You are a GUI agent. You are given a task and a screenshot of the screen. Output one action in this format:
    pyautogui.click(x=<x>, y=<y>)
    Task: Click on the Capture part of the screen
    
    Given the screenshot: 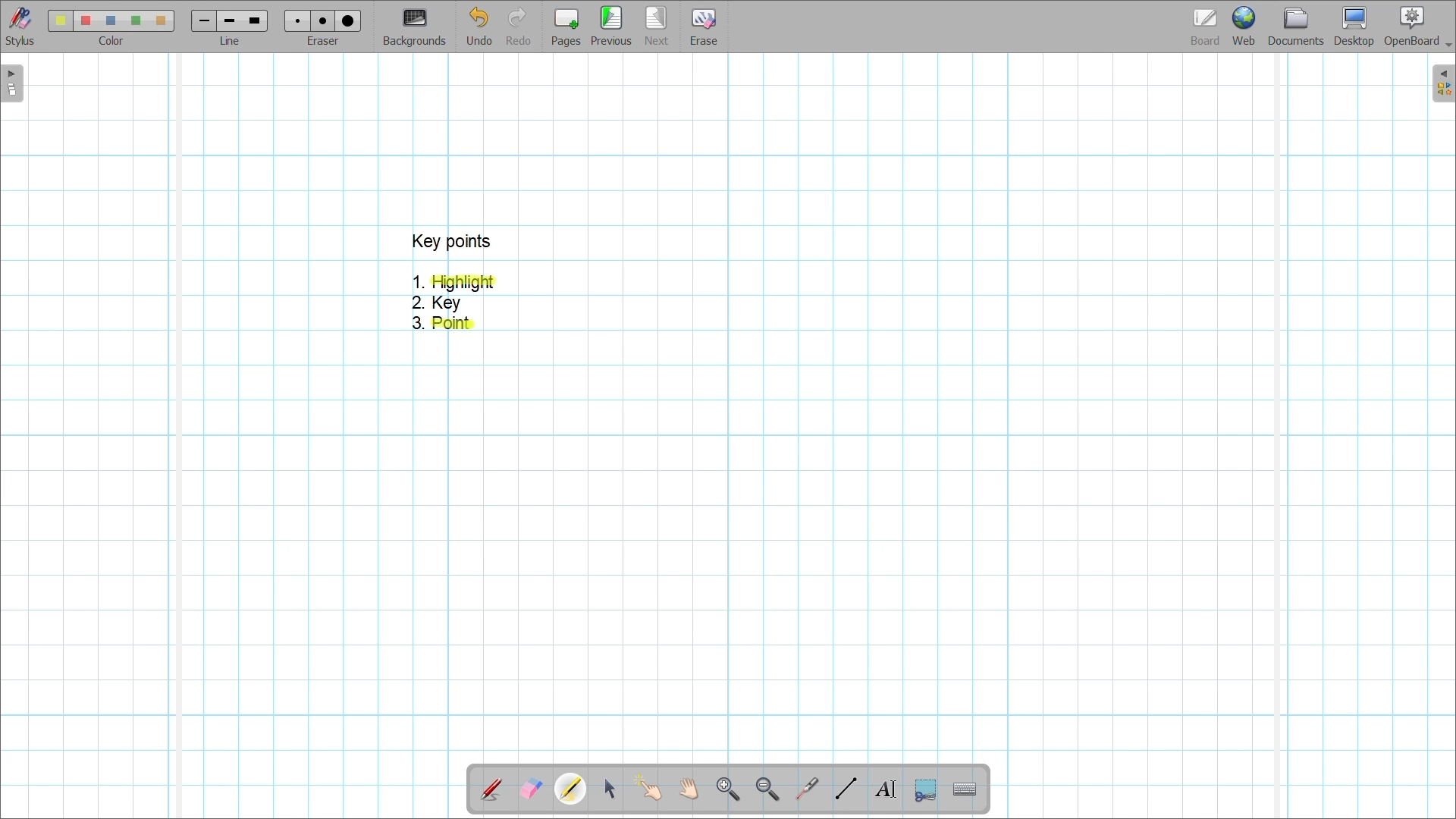 What is the action you would take?
    pyautogui.click(x=926, y=791)
    